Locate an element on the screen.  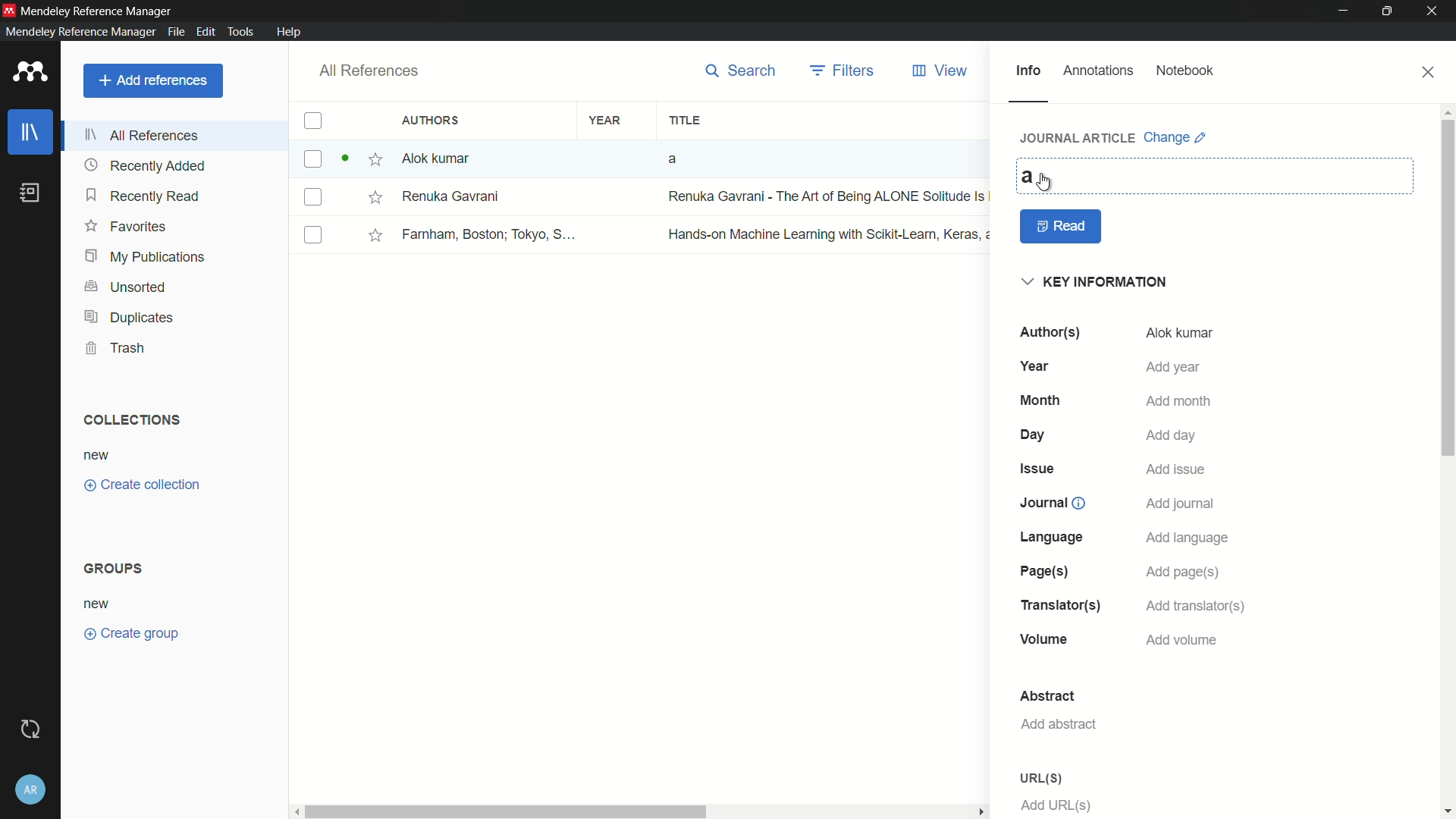
create collections is located at coordinates (142, 485).